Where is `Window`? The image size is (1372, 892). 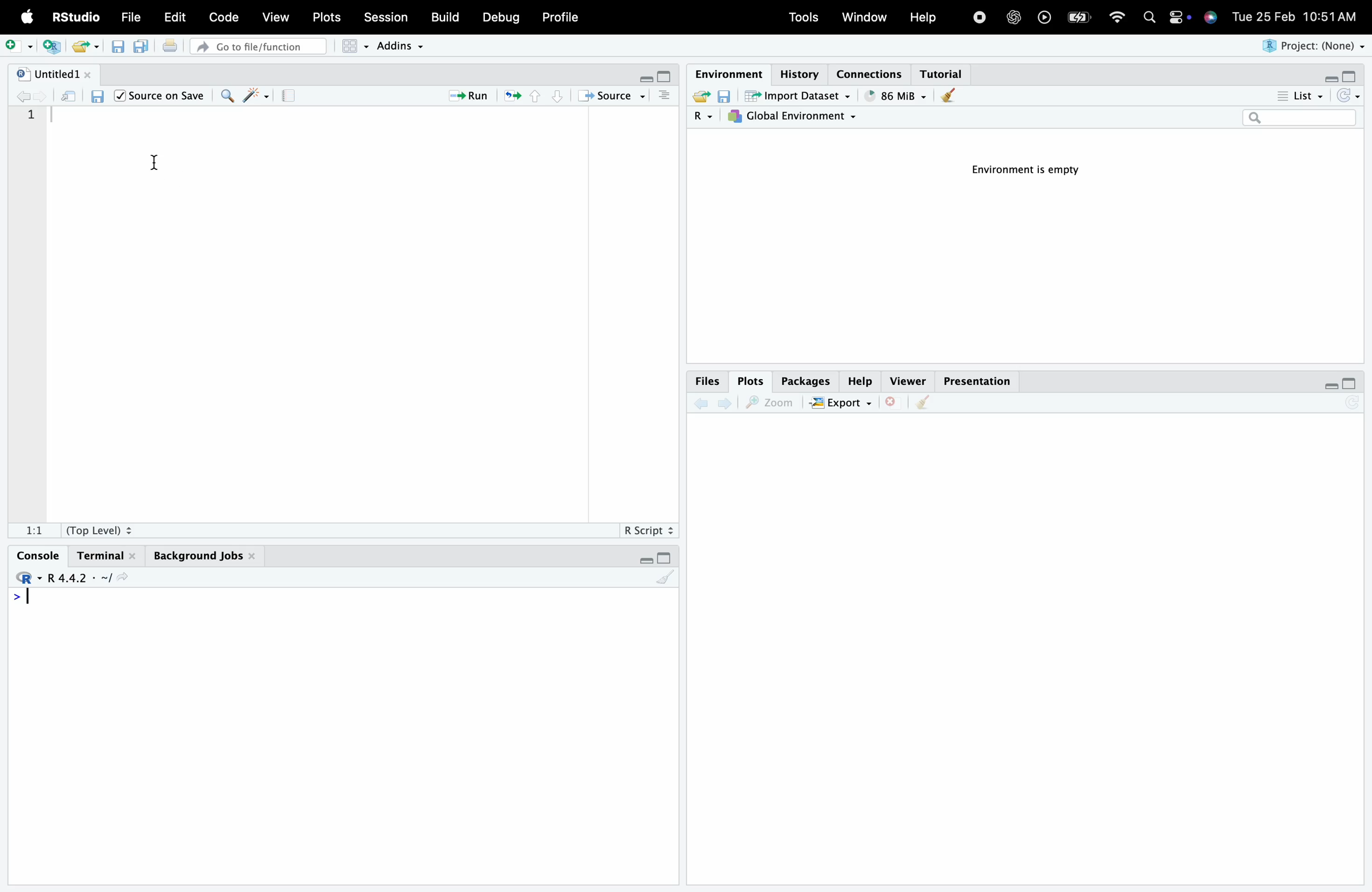
Window is located at coordinates (863, 17).